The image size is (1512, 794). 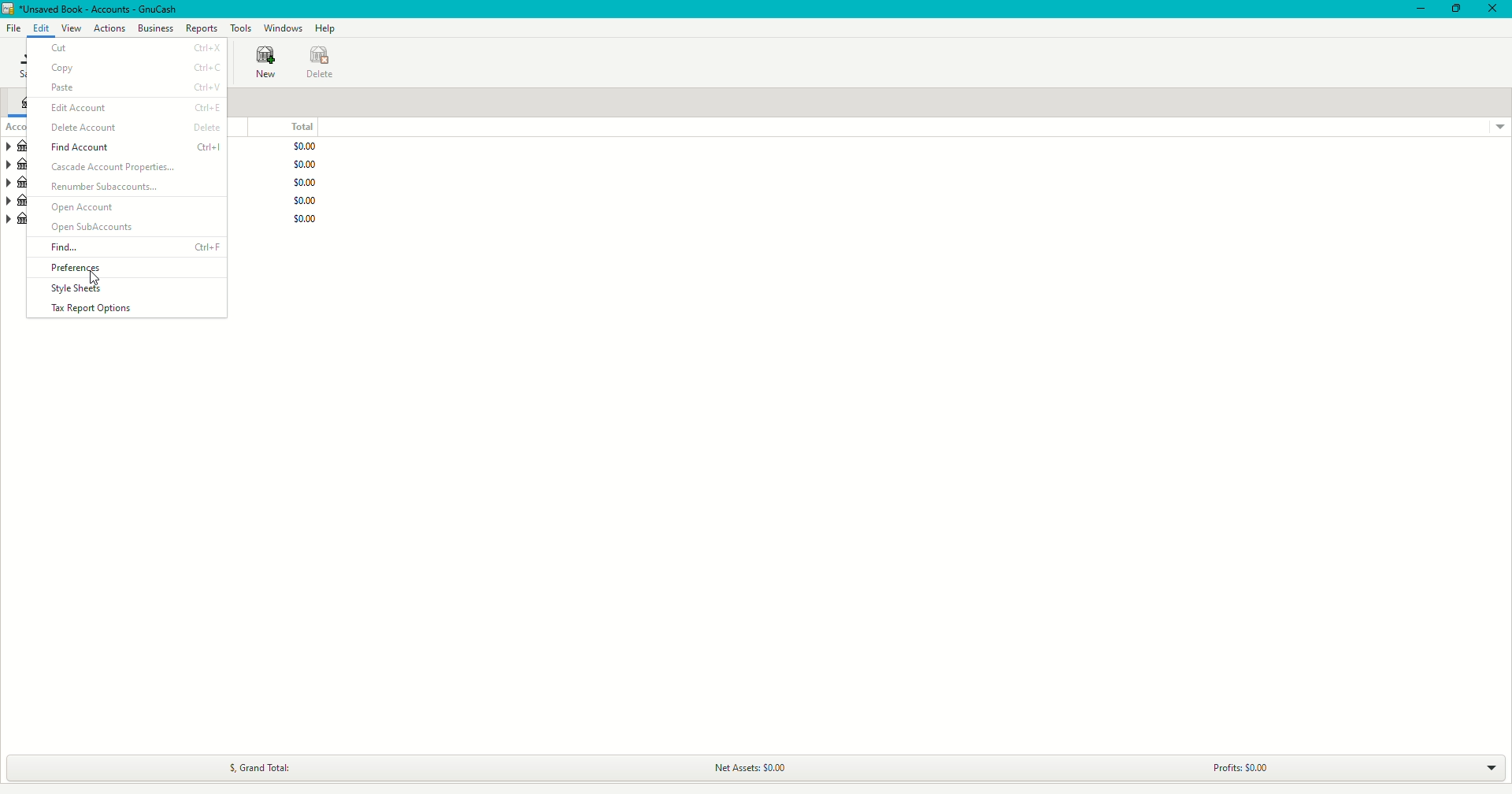 What do you see at coordinates (128, 206) in the screenshot?
I see `Open account` at bounding box center [128, 206].